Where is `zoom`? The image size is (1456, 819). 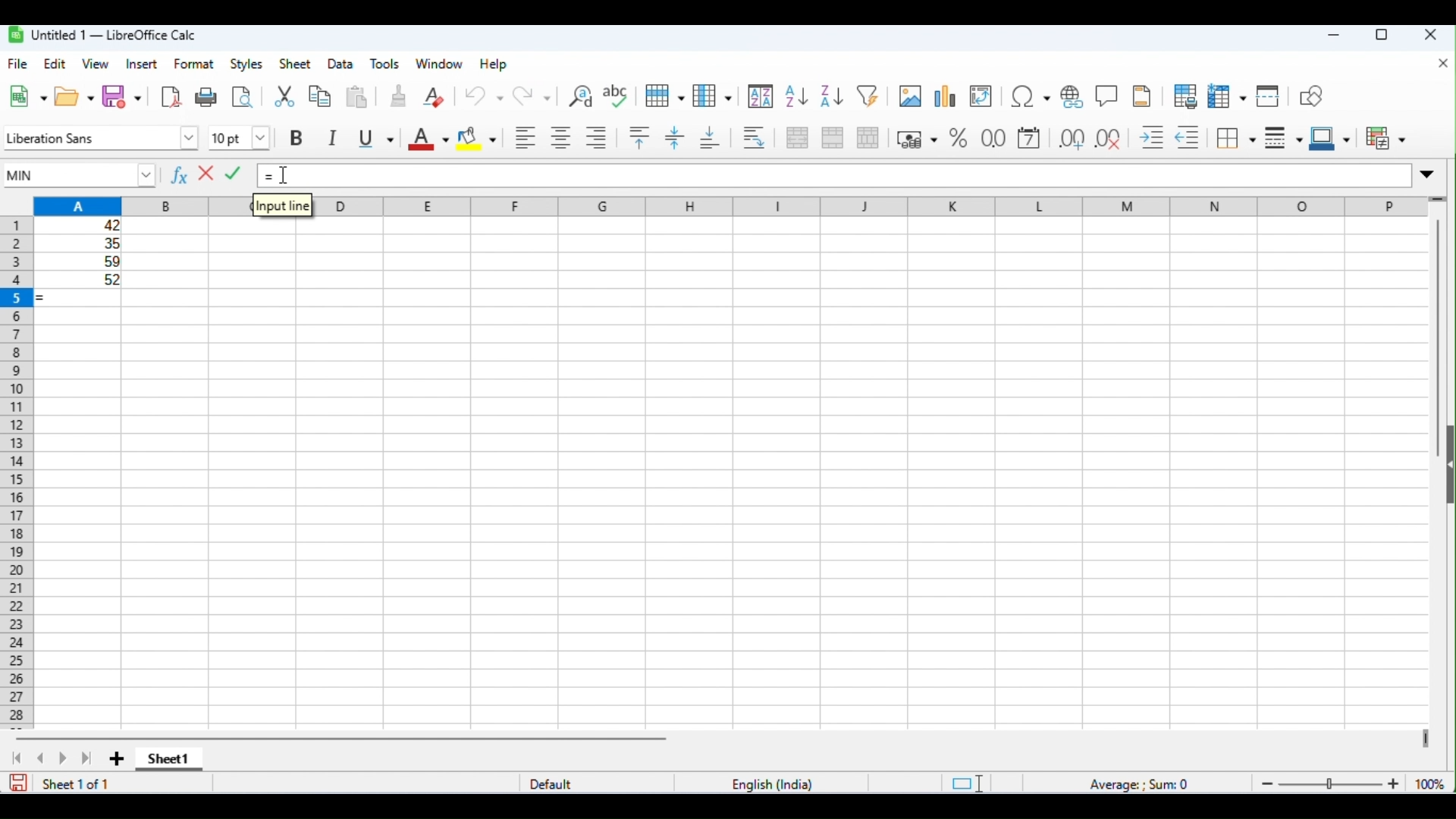 zoom is located at coordinates (1352, 783).